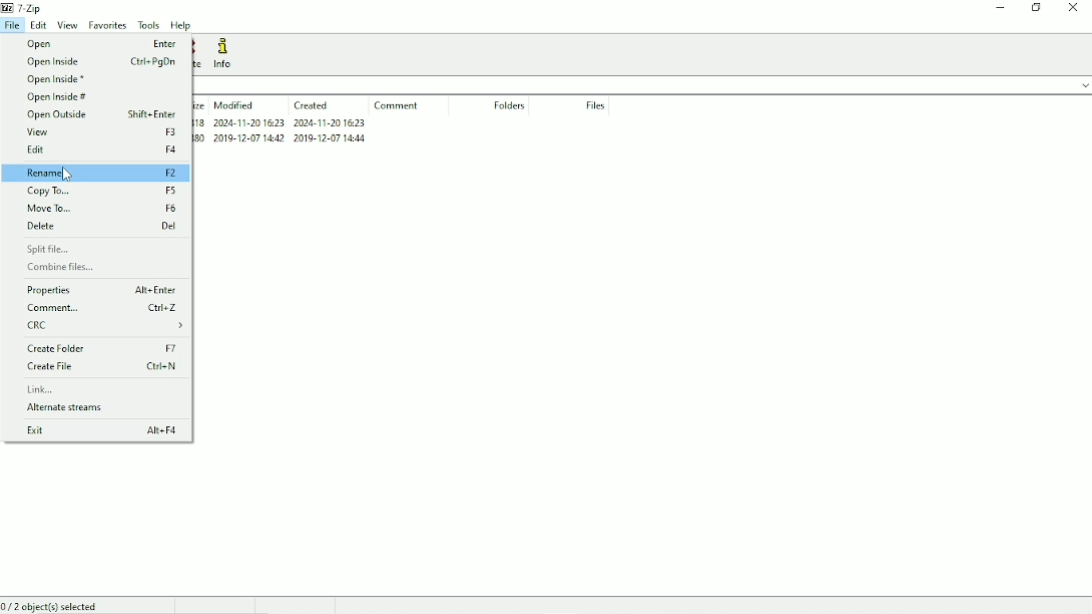  I want to click on cursor, so click(69, 175).